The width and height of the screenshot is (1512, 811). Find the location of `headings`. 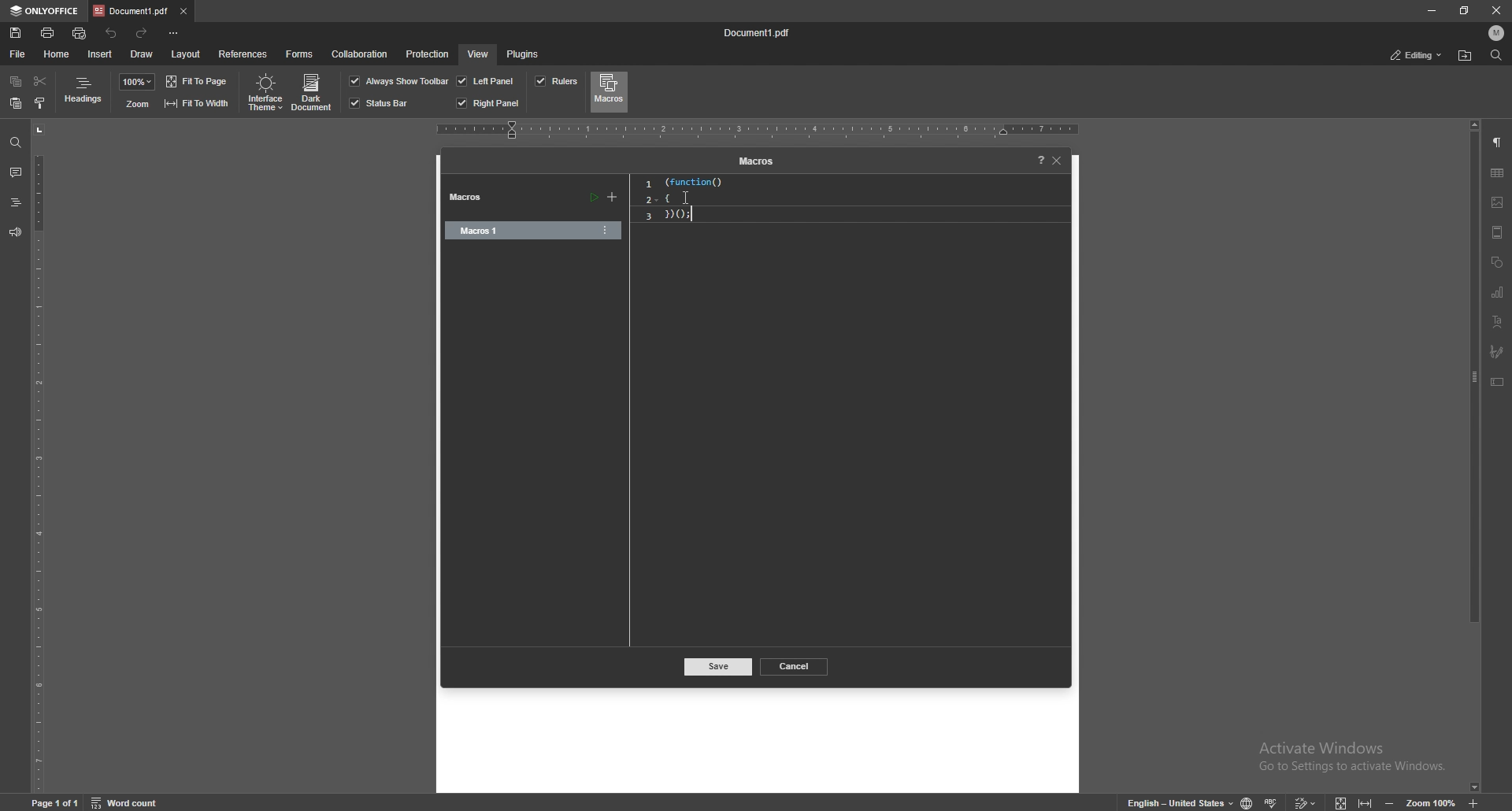

headings is located at coordinates (15, 202).